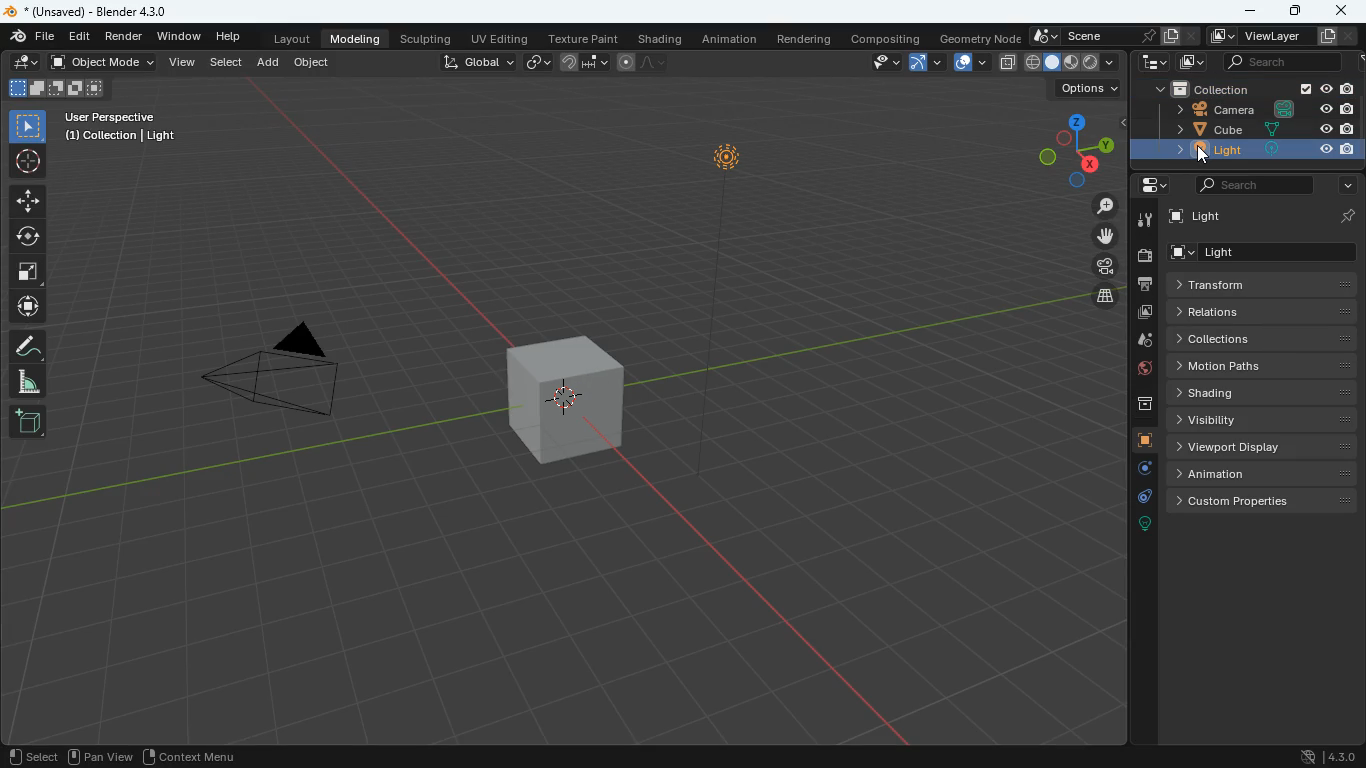 The image size is (1366, 768). I want to click on angle, so click(27, 382).